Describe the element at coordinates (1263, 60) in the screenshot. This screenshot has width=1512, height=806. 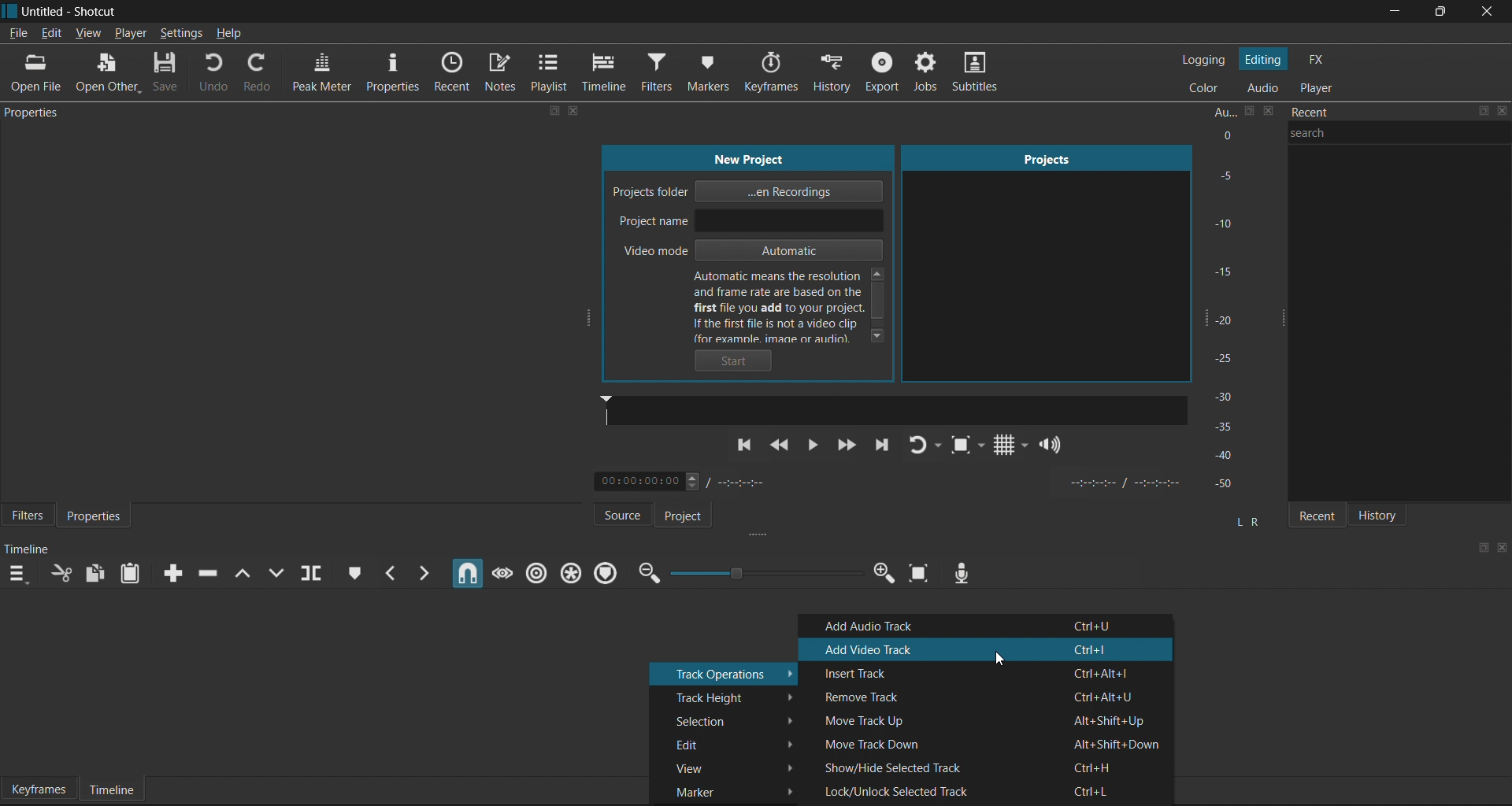
I see `Editing` at that location.